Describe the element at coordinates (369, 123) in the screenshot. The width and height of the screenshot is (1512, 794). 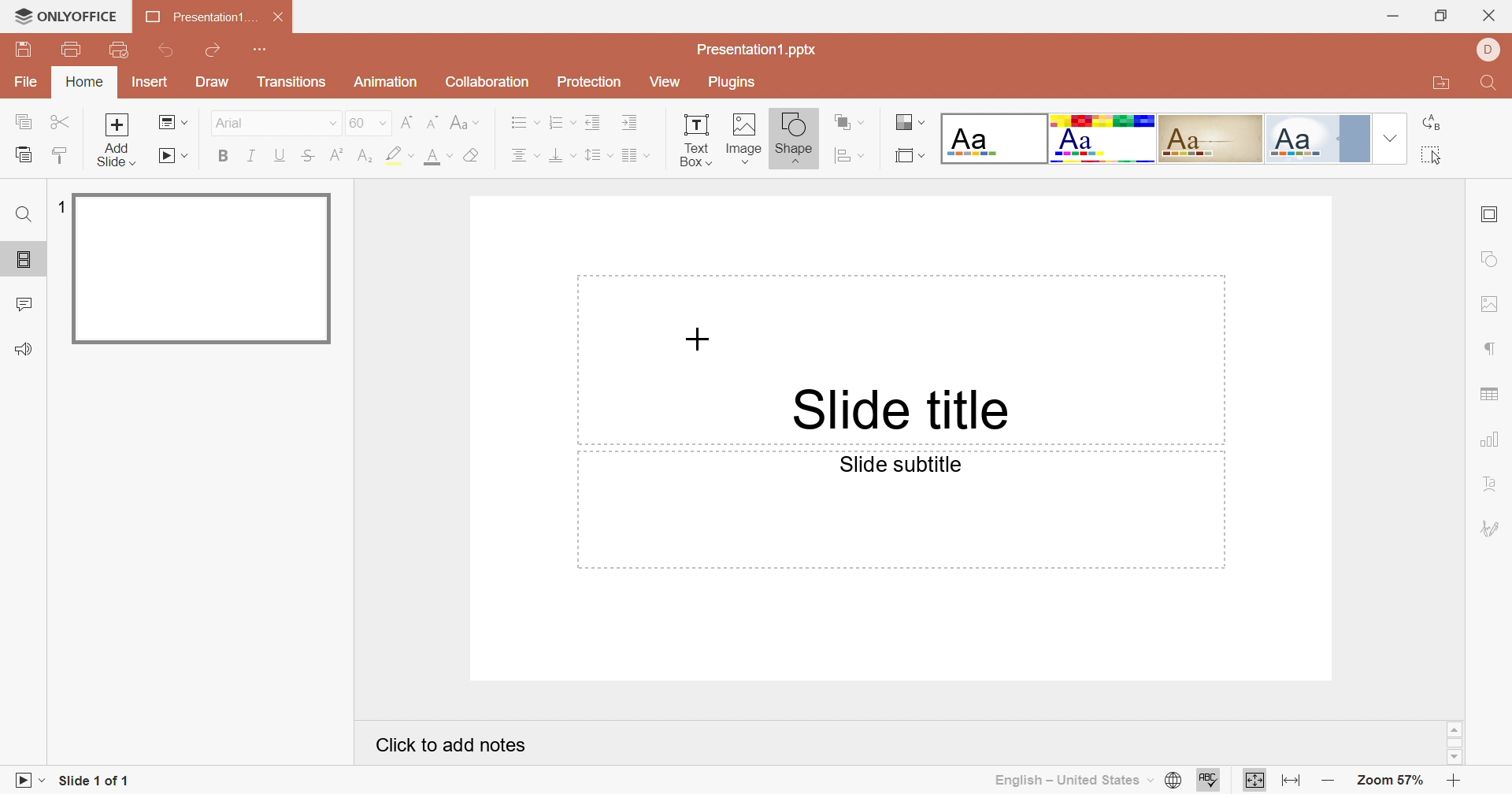
I see `Font size` at that location.